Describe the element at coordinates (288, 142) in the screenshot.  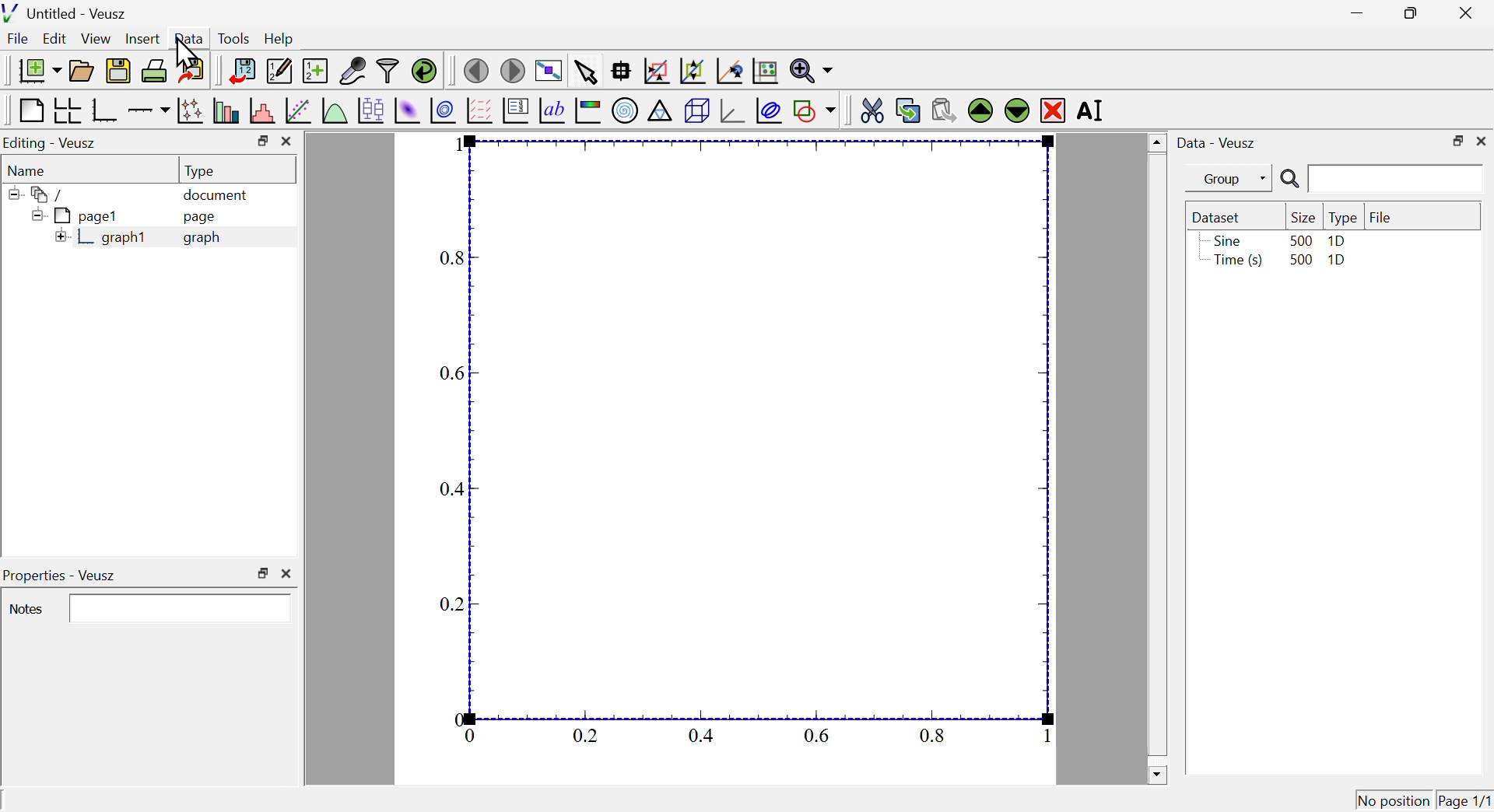
I see `close` at that location.